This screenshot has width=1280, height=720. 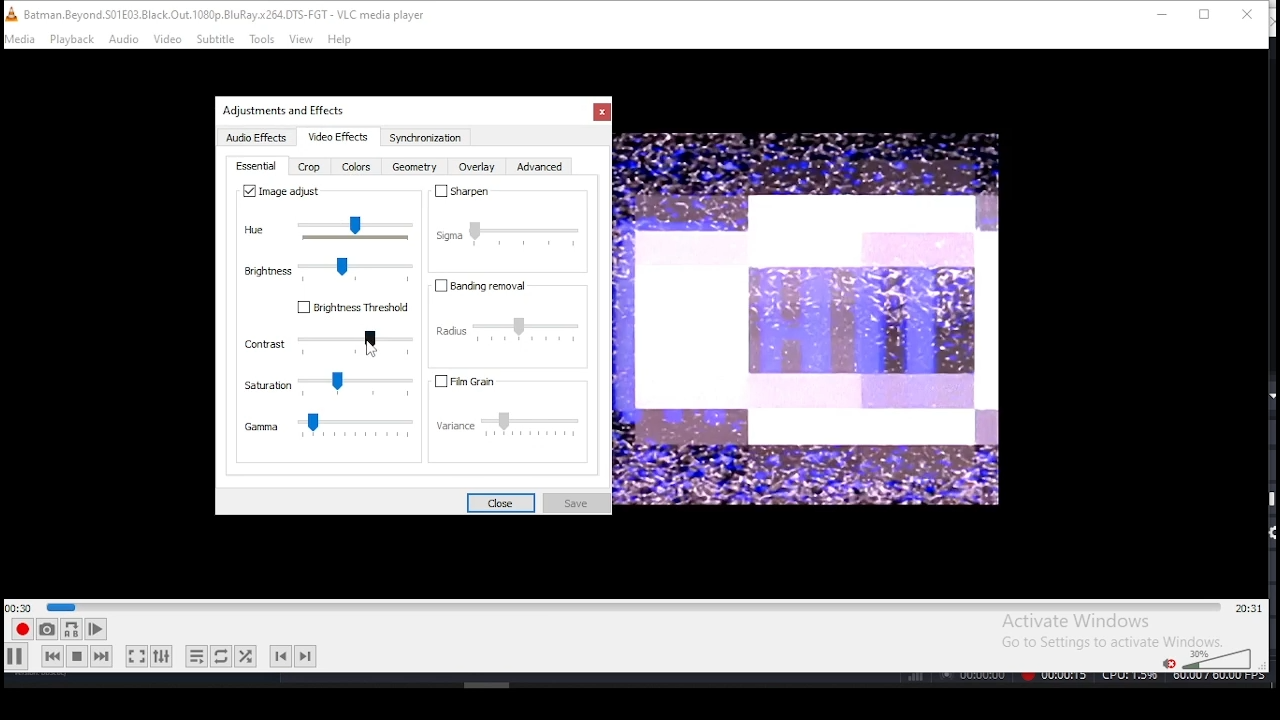 I want to click on previous media in track, skips backward when held, so click(x=51, y=658).